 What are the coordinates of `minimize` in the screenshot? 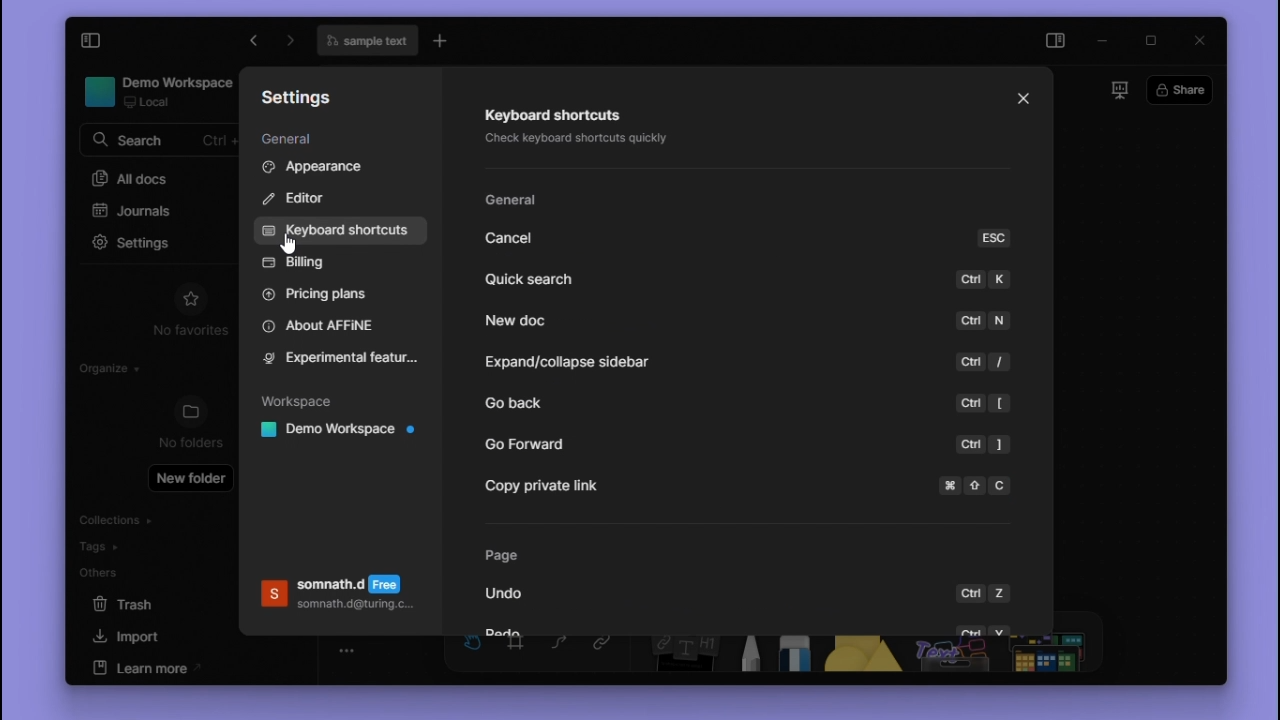 It's located at (1106, 37).